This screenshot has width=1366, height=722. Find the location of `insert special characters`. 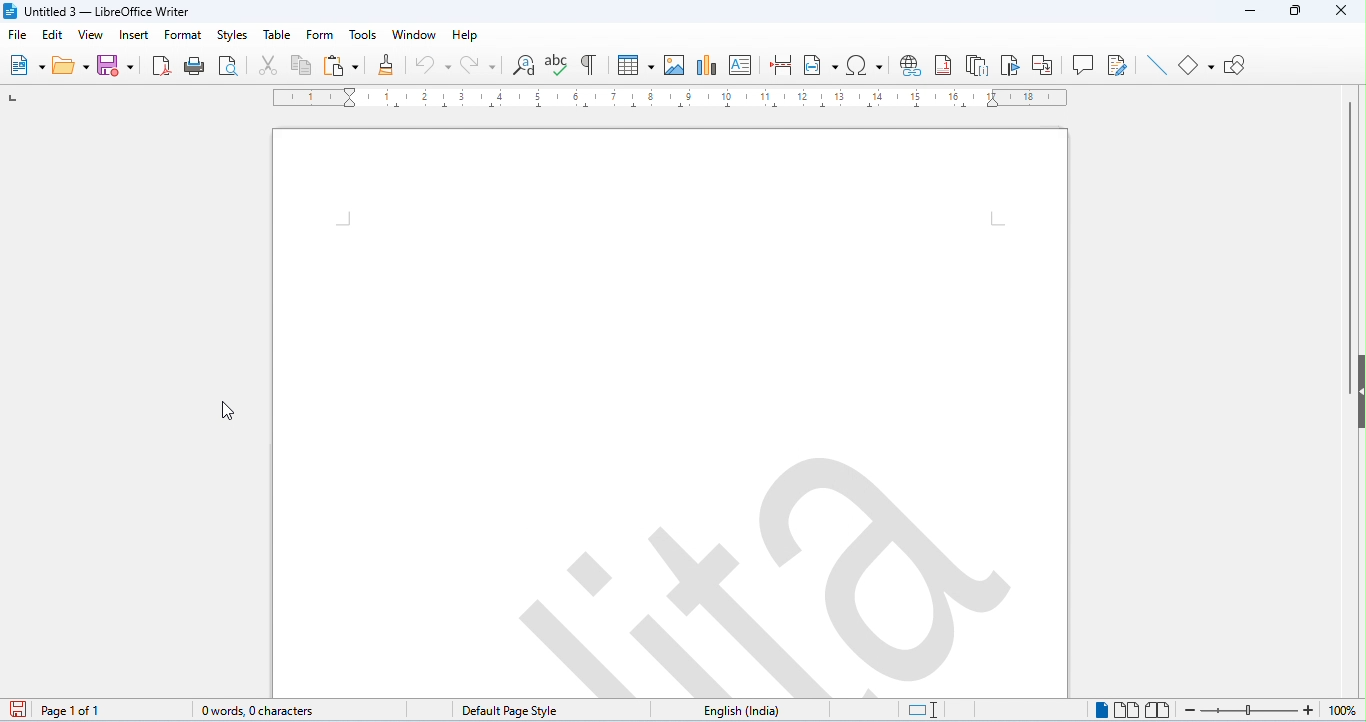

insert special characters is located at coordinates (865, 63).